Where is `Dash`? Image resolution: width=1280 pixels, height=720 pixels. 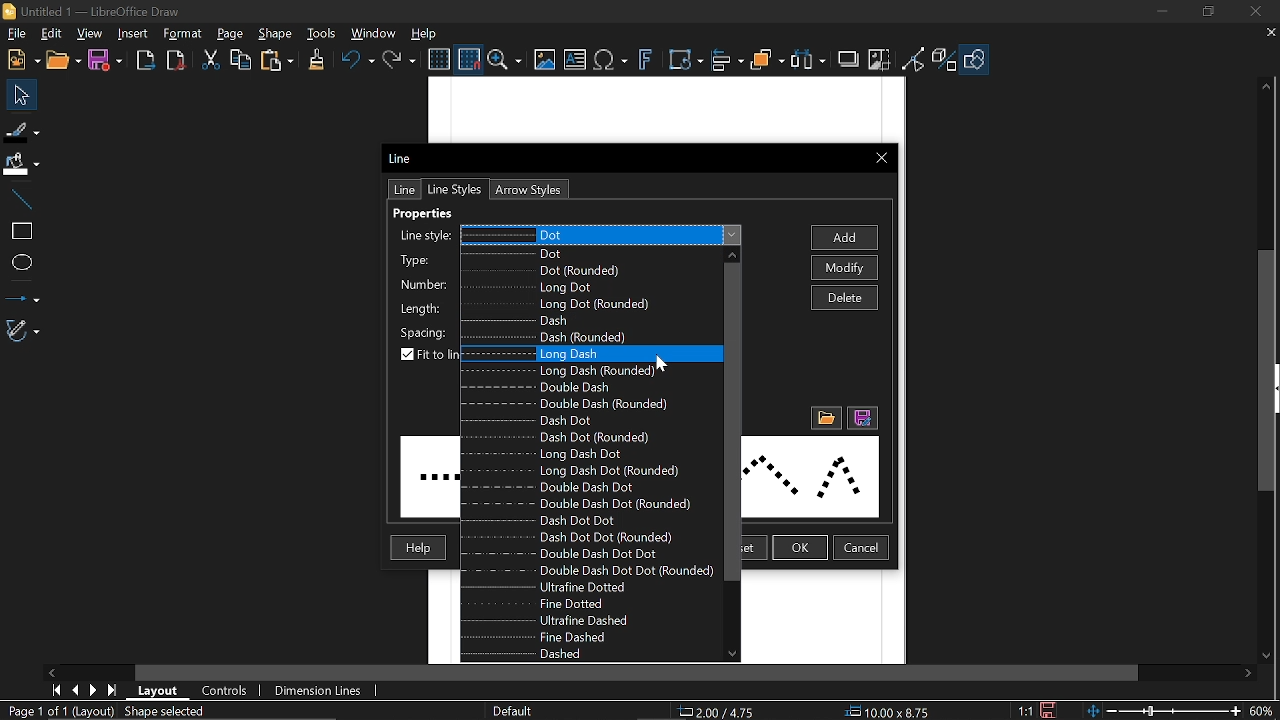 Dash is located at coordinates (584, 321).